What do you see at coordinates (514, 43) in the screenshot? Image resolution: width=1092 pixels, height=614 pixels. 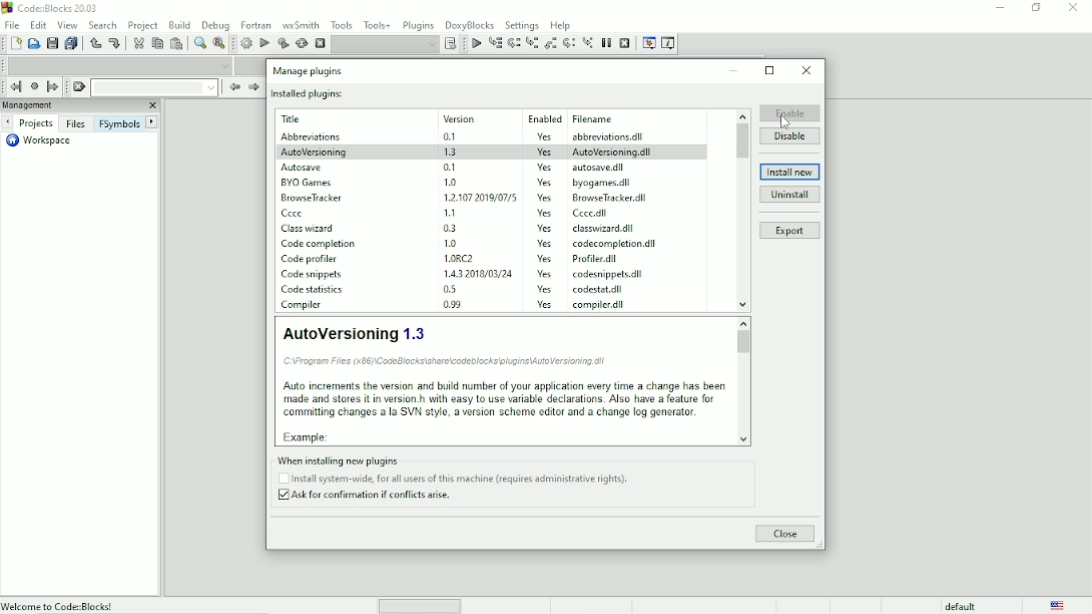 I see `Next line` at bounding box center [514, 43].